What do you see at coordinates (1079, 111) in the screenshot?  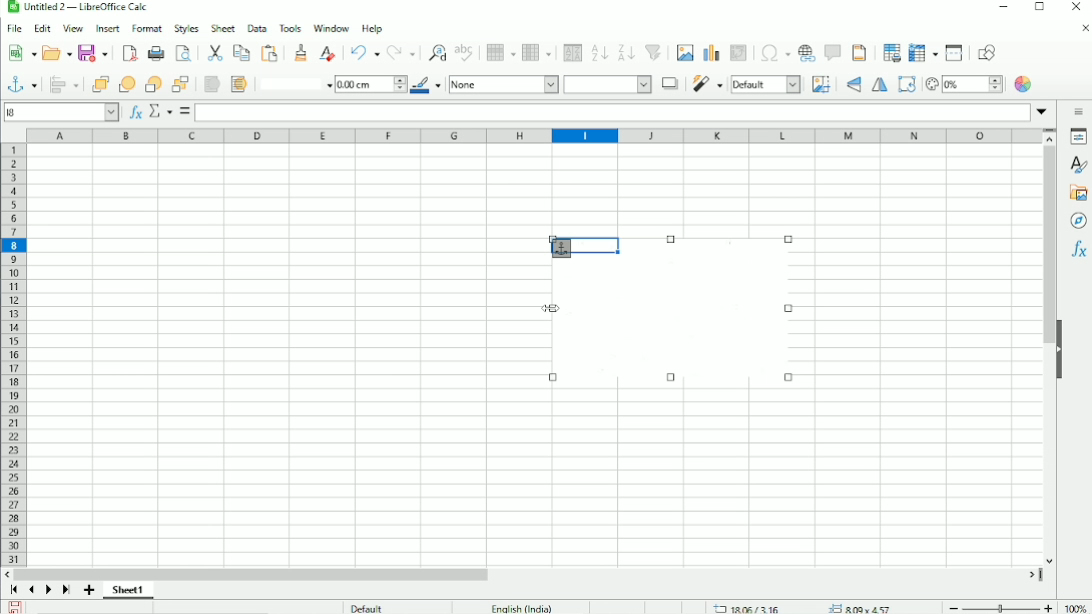 I see `Sidebar settings` at bounding box center [1079, 111].